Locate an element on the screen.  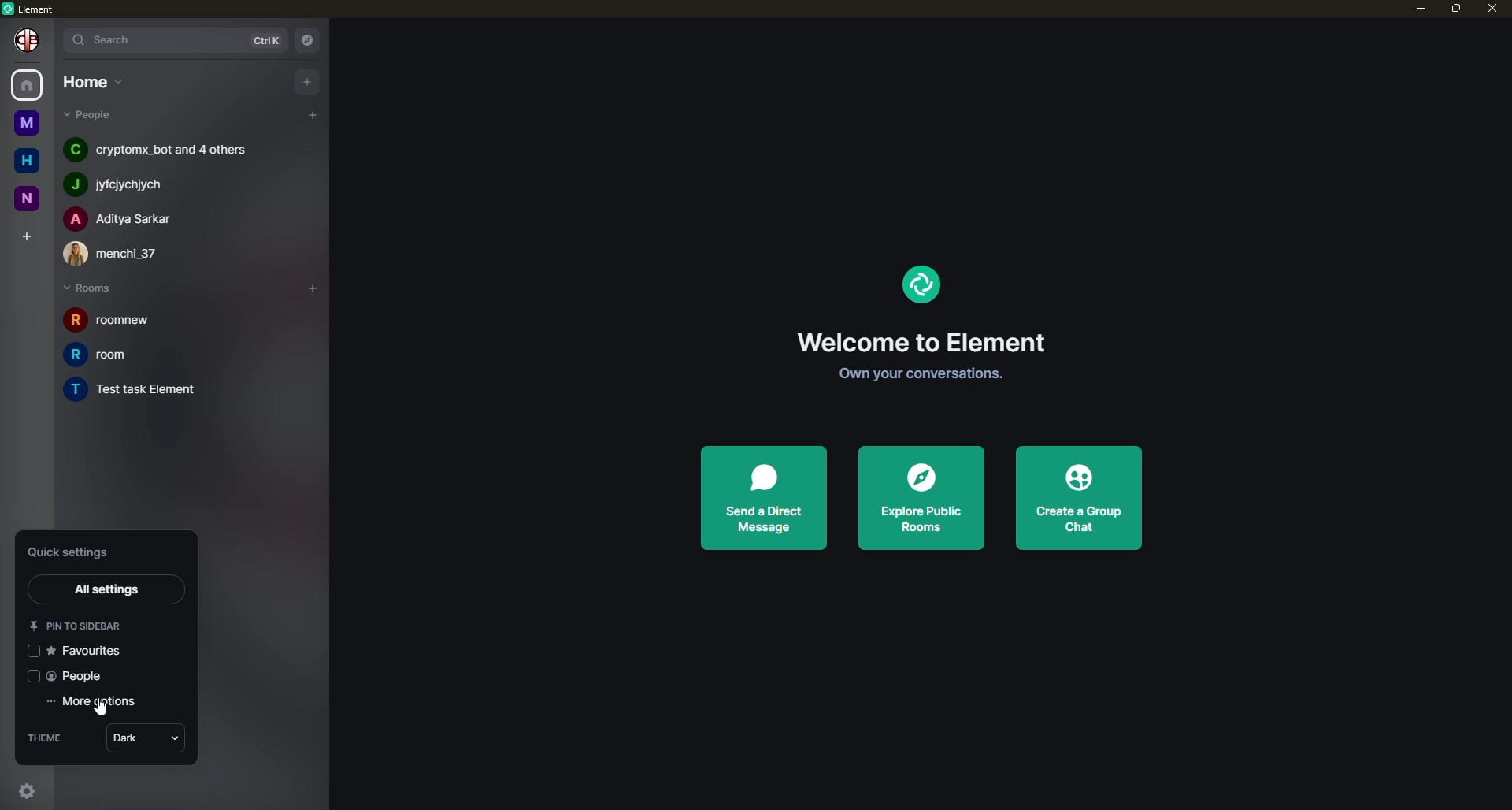
people is located at coordinates (88, 116).